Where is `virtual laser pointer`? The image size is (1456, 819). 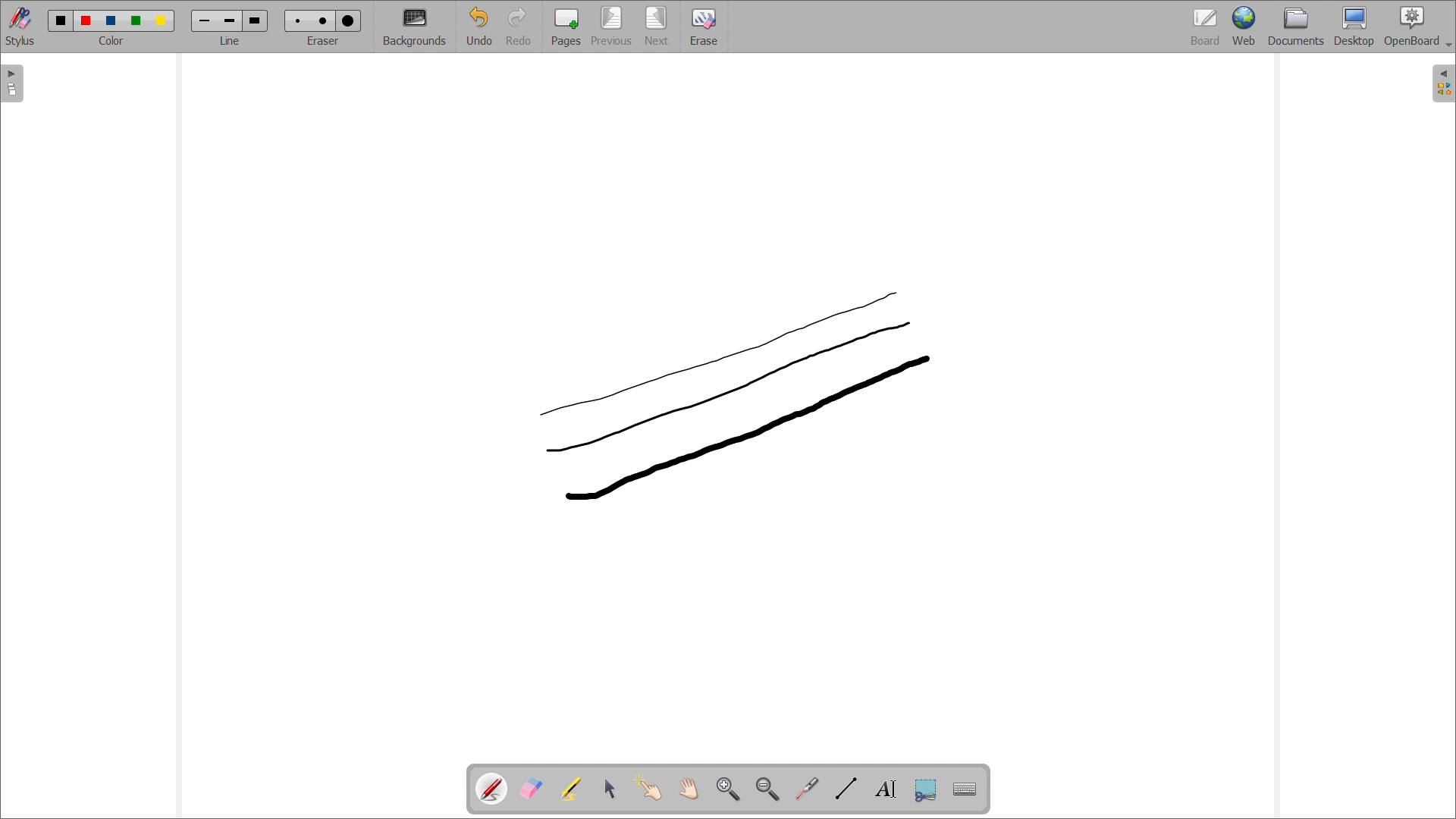
virtual laser pointer is located at coordinates (808, 787).